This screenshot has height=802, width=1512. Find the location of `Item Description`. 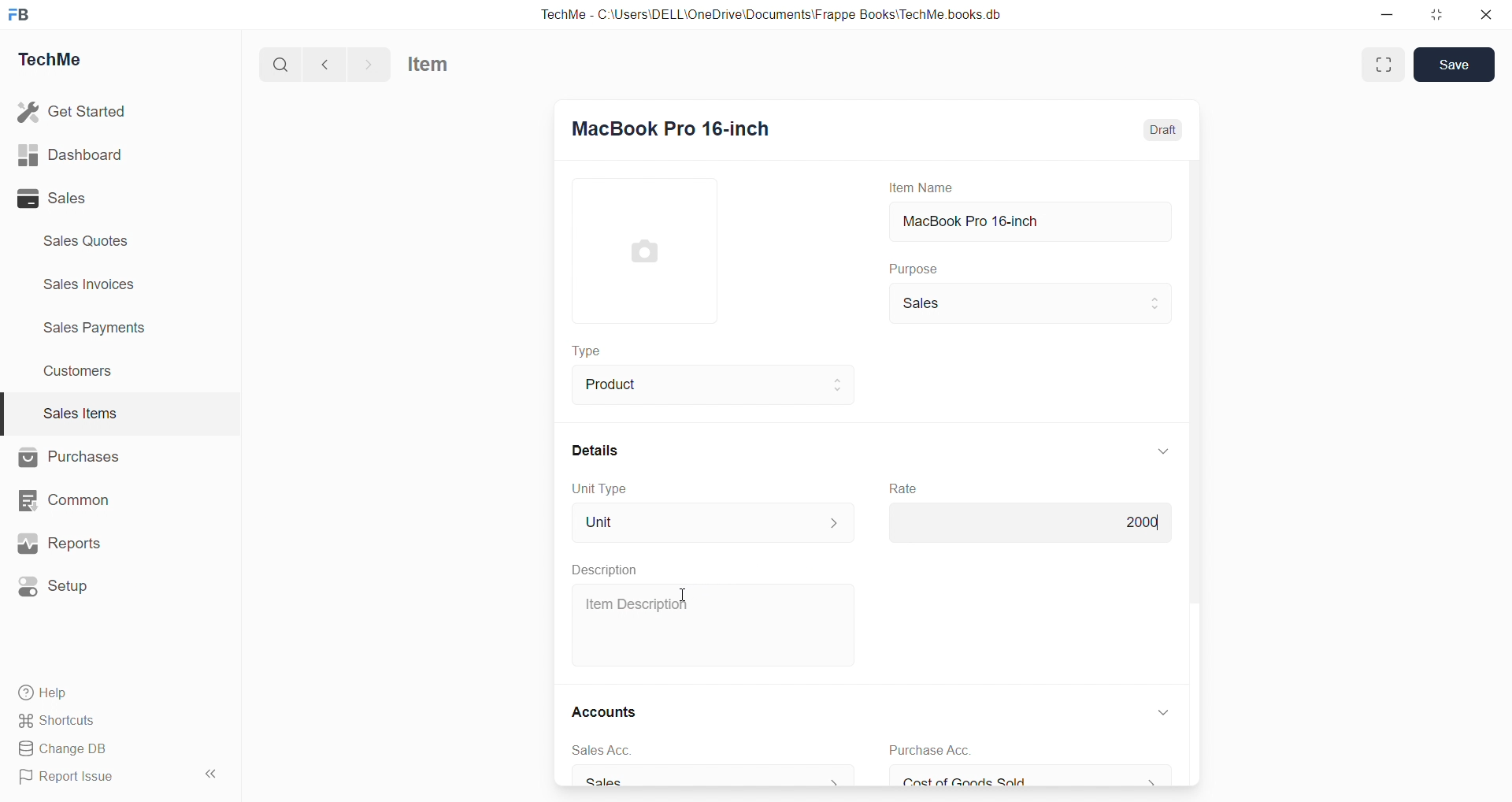

Item Description is located at coordinates (636, 603).